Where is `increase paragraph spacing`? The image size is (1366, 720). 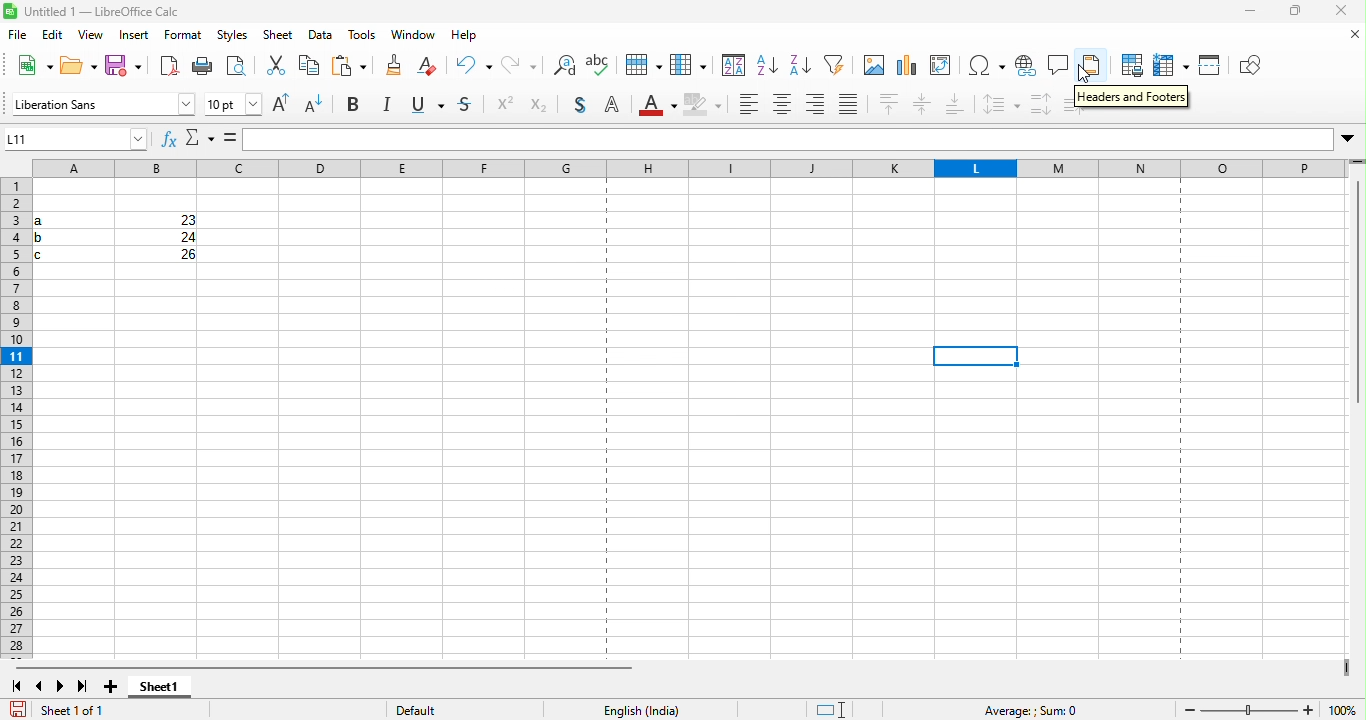 increase paragraph spacing is located at coordinates (1040, 104).